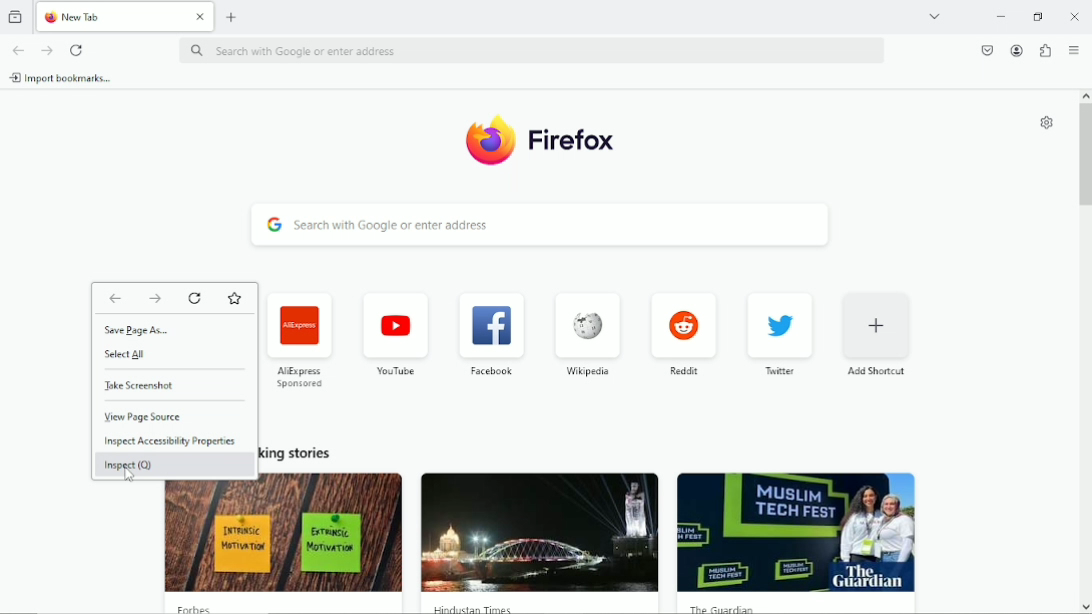  I want to click on Twitter, so click(780, 334).